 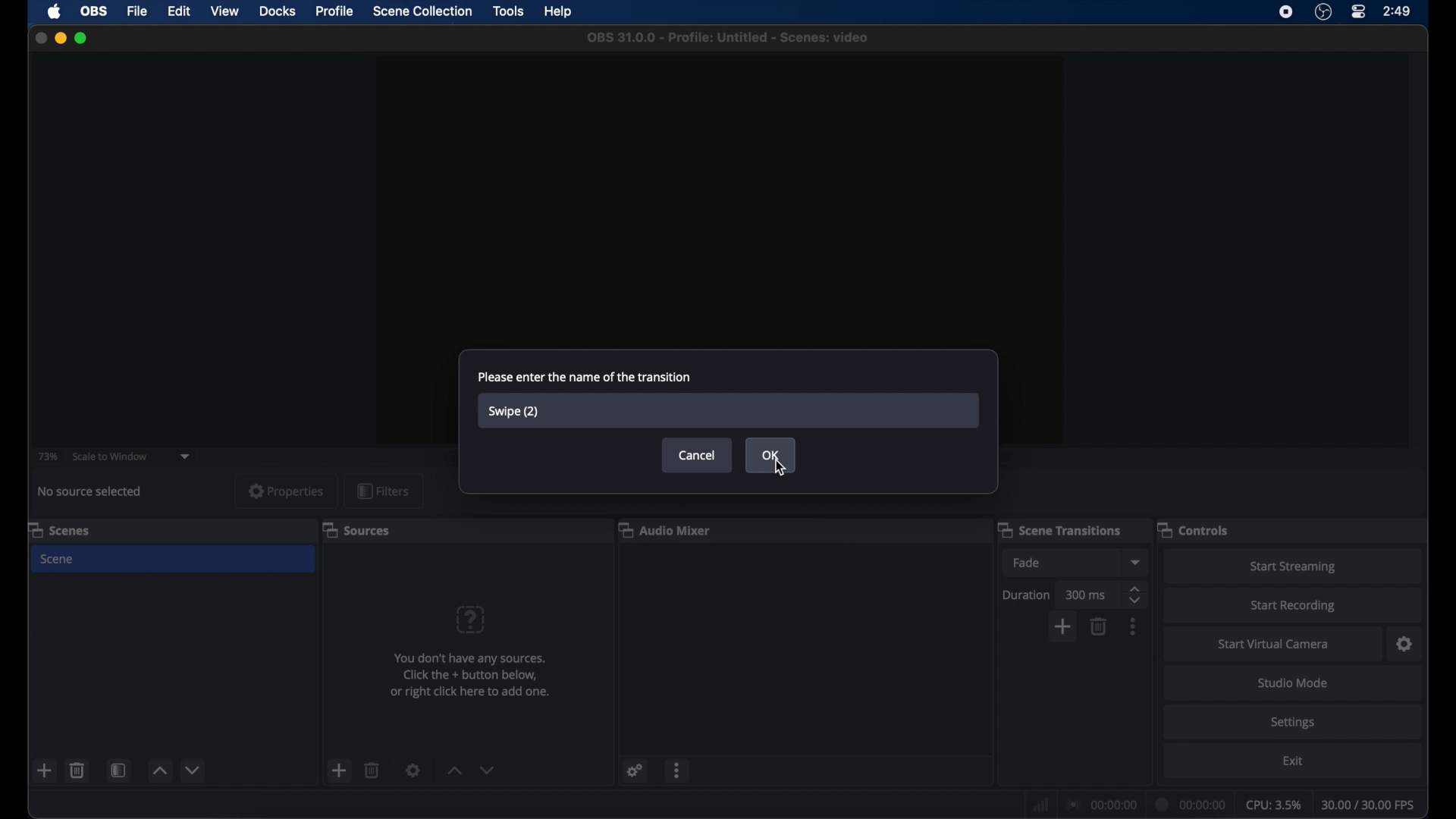 I want to click on view, so click(x=224, y=10).